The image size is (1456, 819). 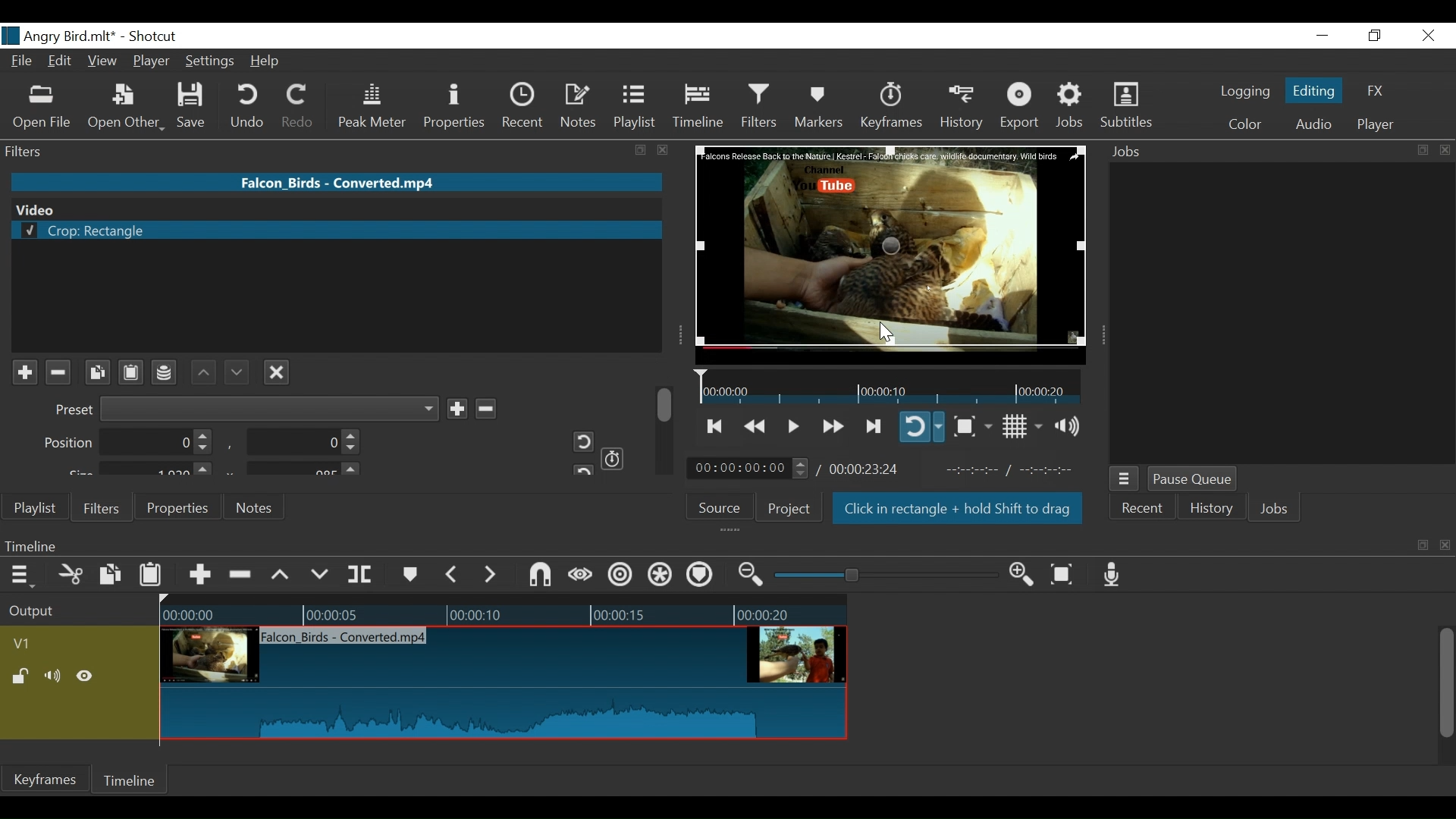 What do you see at coordinates (701, 545) in the screenshot?
I see `Timeline` at bounding box center [701, 545].